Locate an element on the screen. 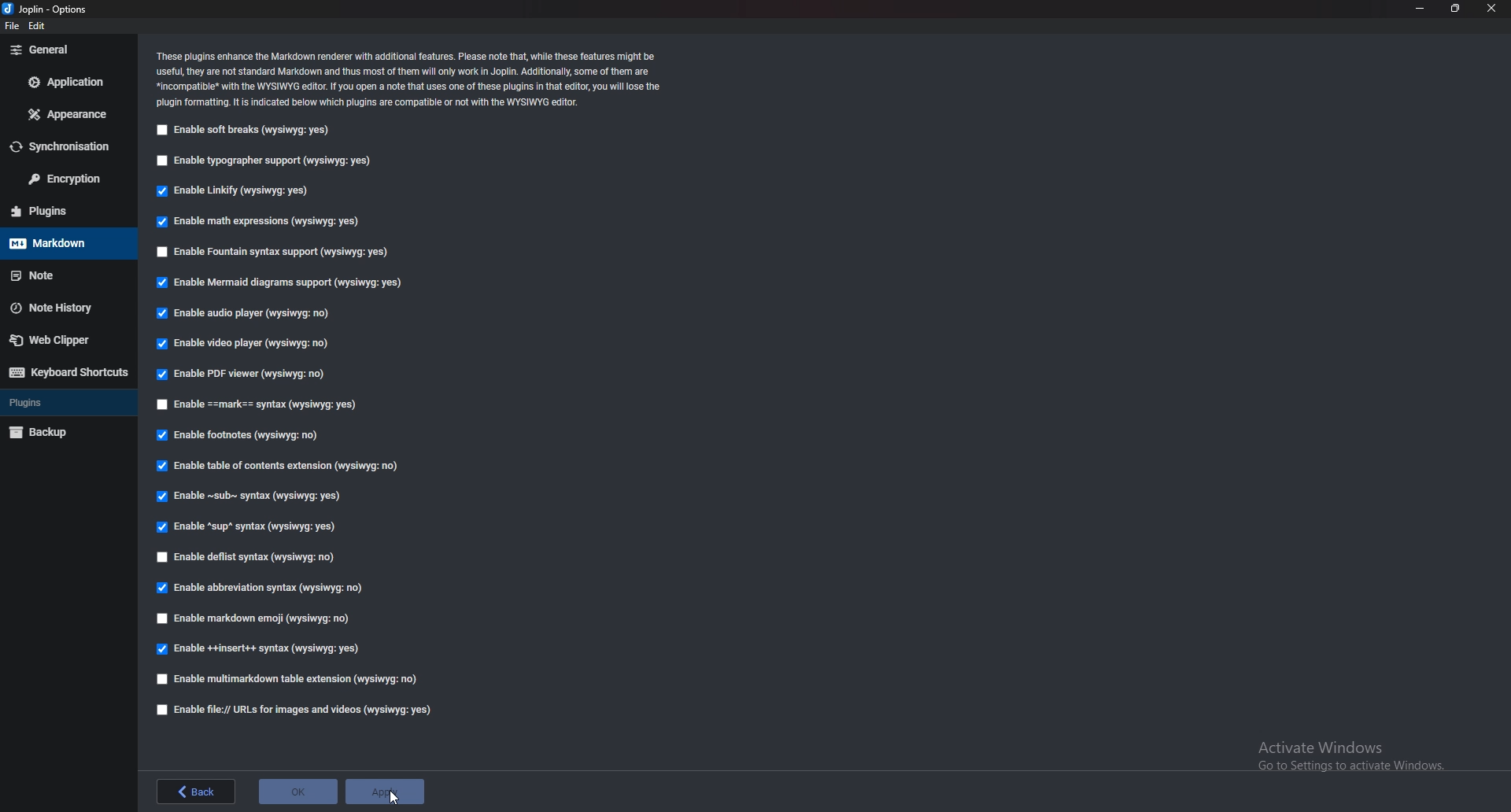 Image resolution: width=1511 pixels, height=812 pixels. Pointer is located at coordinates (393, 799).